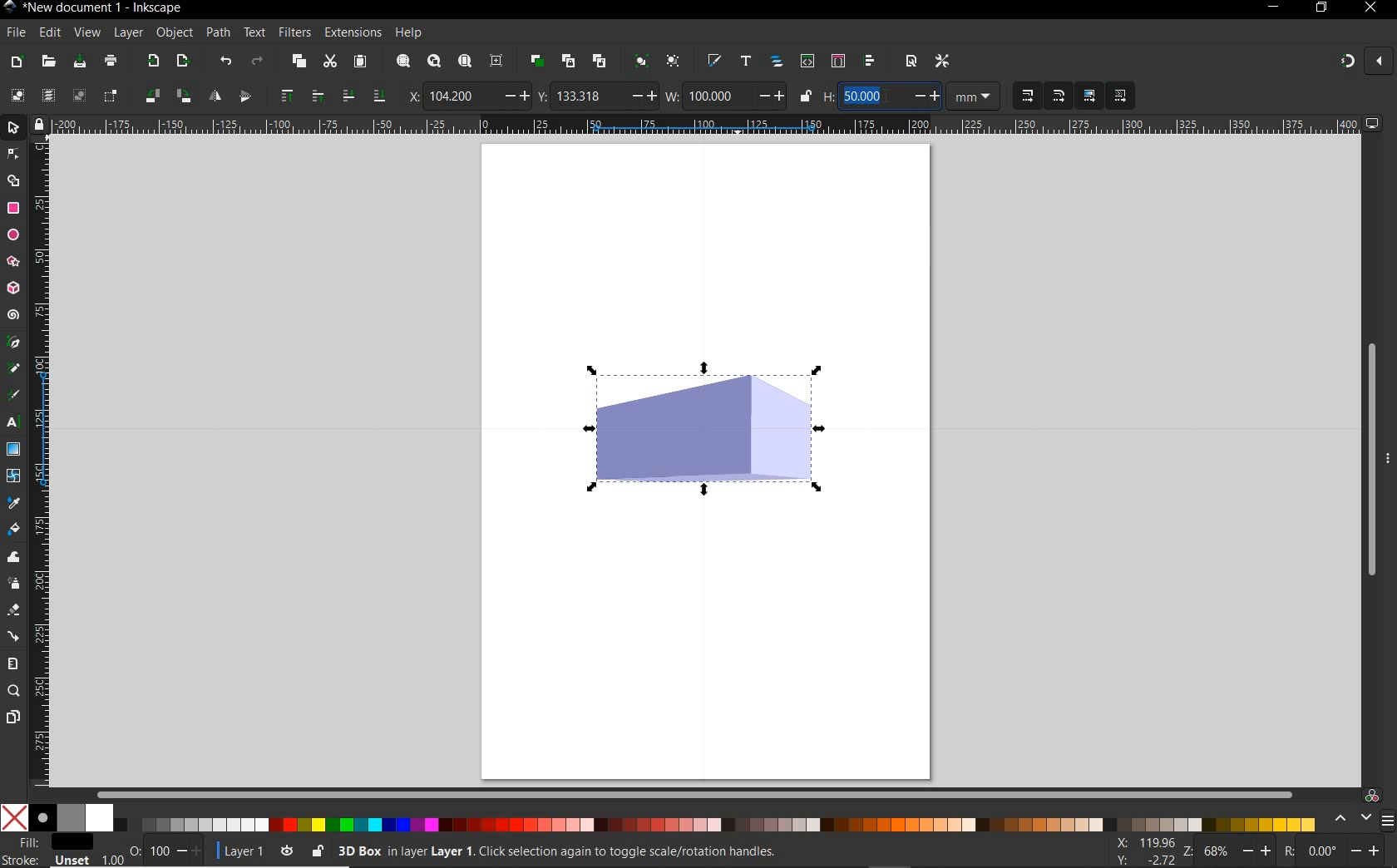 This screenshot has width=1397, height=868. I want to click on increase/decrease, so click(515, 96).